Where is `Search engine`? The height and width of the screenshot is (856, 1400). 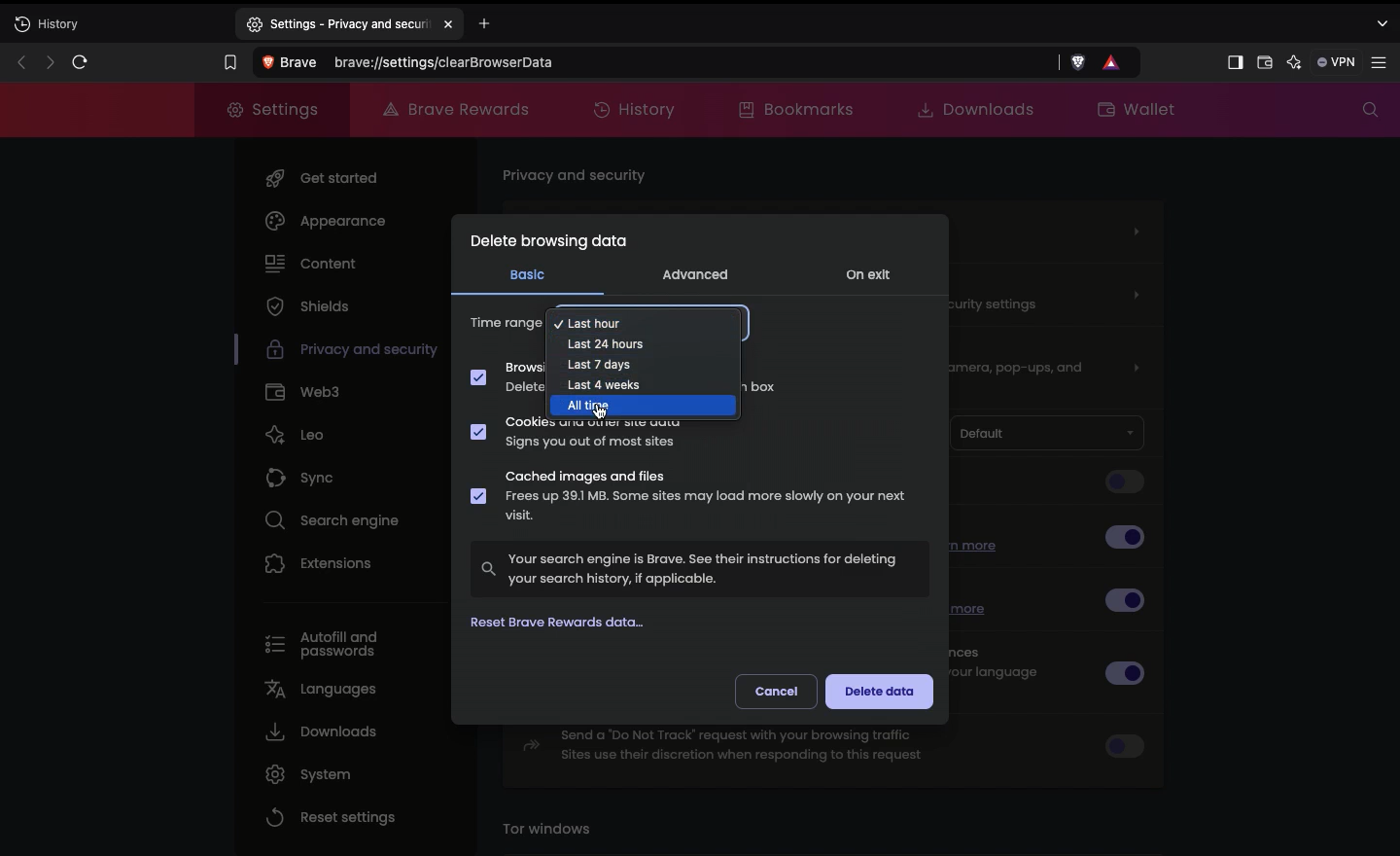 Search engine is located at coordinates (337, 522).